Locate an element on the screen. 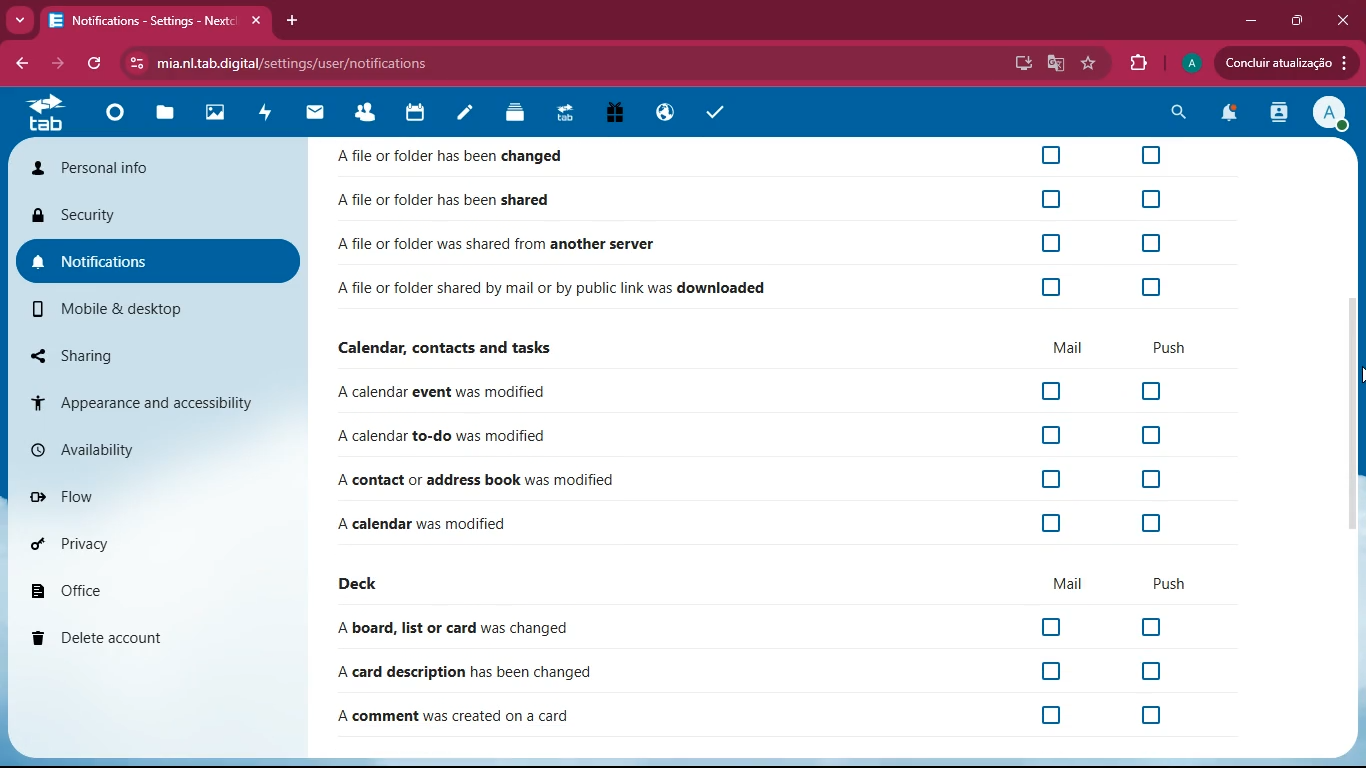 The image size is (1366, 768). off is located at coordinates (1051, 287).